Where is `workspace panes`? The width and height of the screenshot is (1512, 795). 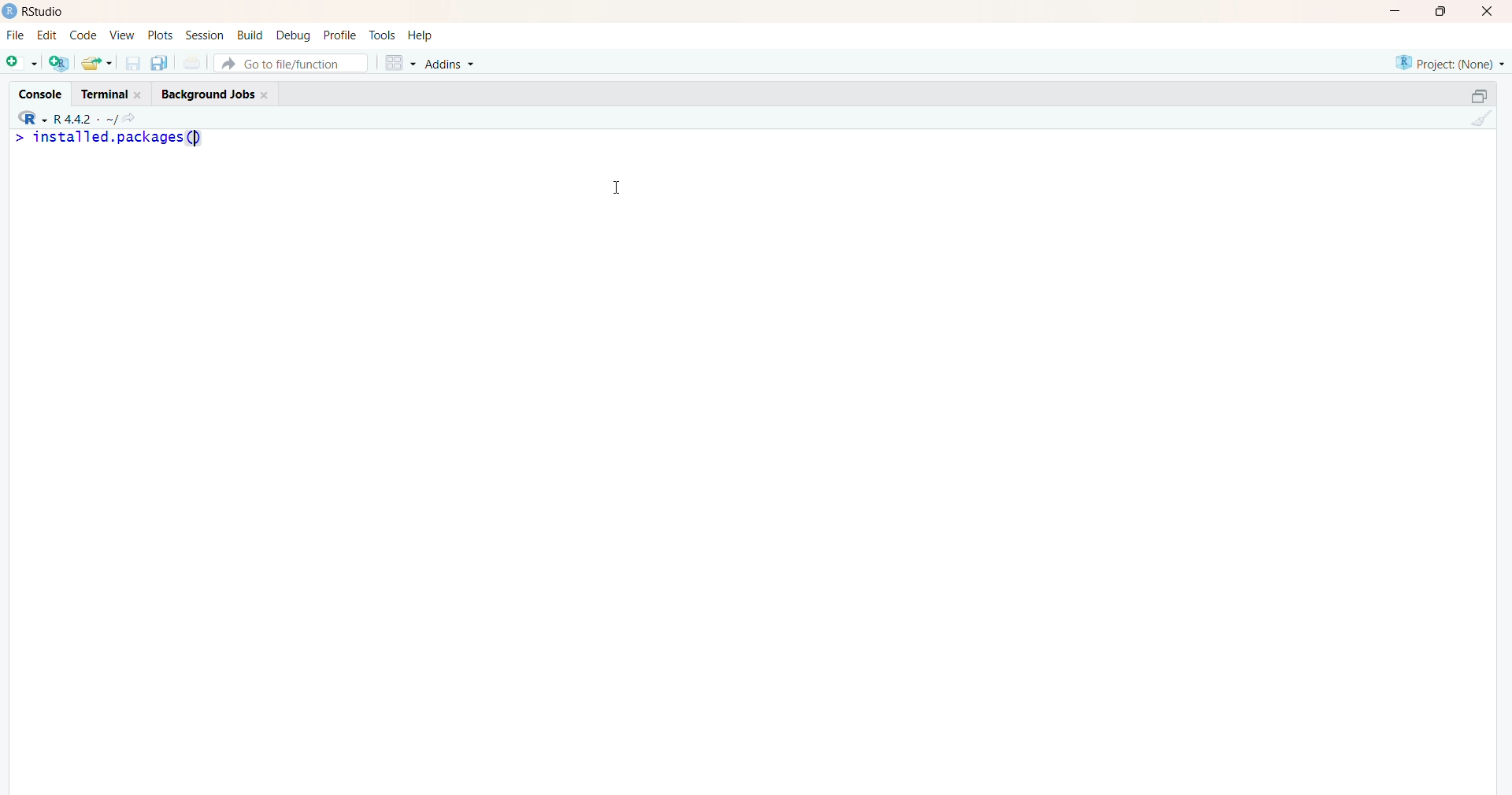
workspace panes is located at coordinates (399, 65).